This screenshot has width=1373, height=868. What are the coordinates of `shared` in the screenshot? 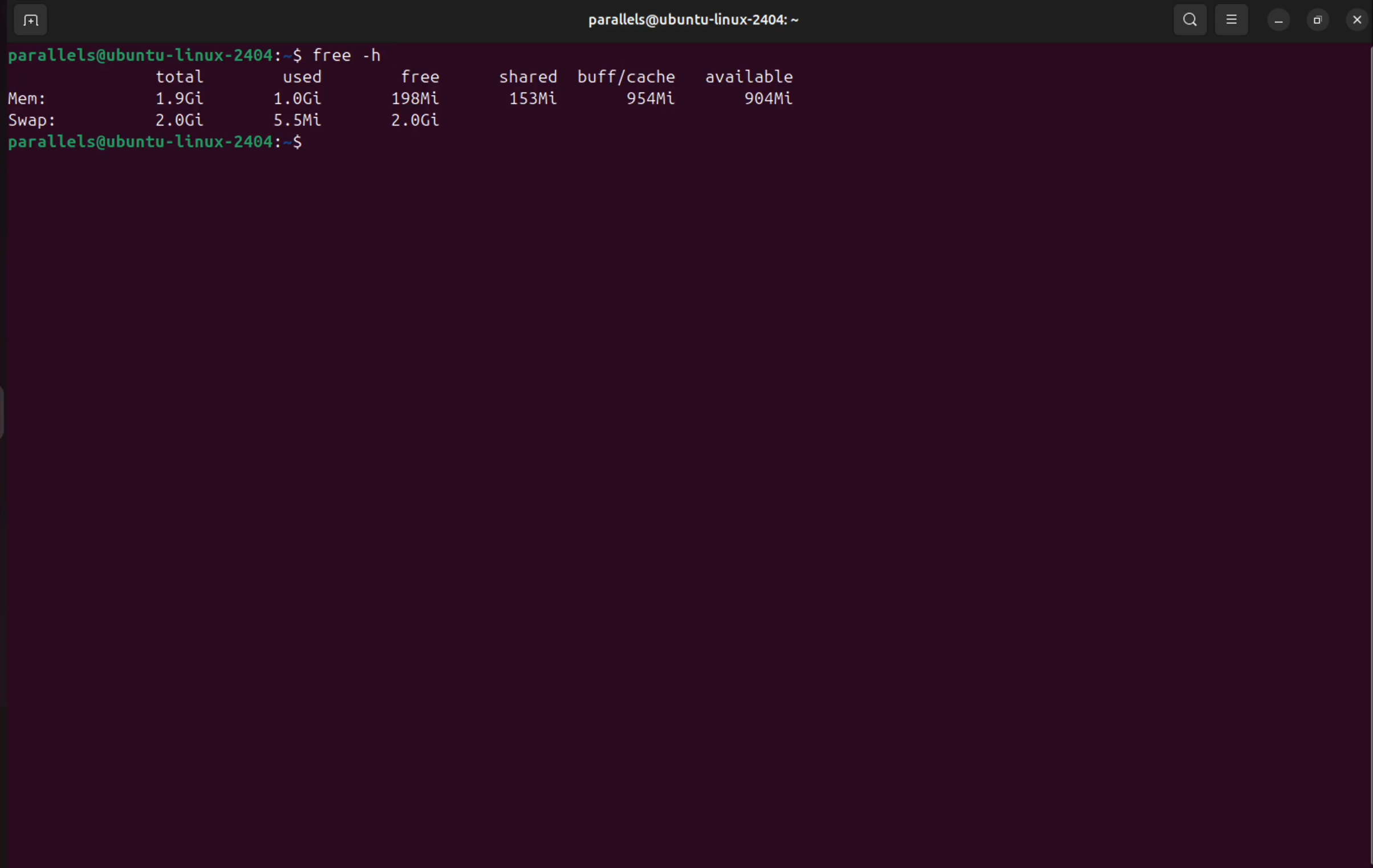 It's located at (529, 78).